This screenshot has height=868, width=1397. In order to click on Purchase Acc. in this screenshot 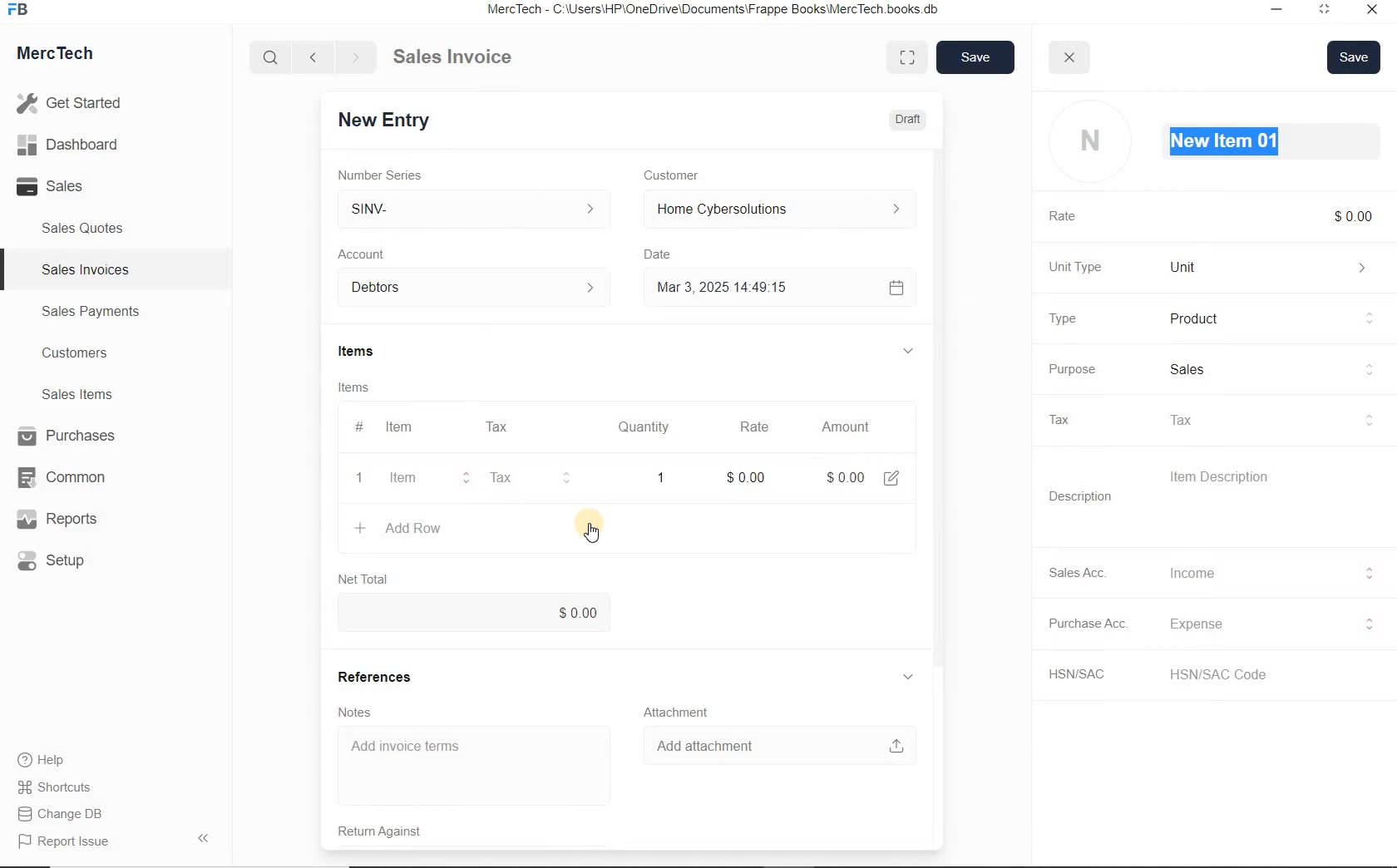, I will do `click(1090, 625)`.